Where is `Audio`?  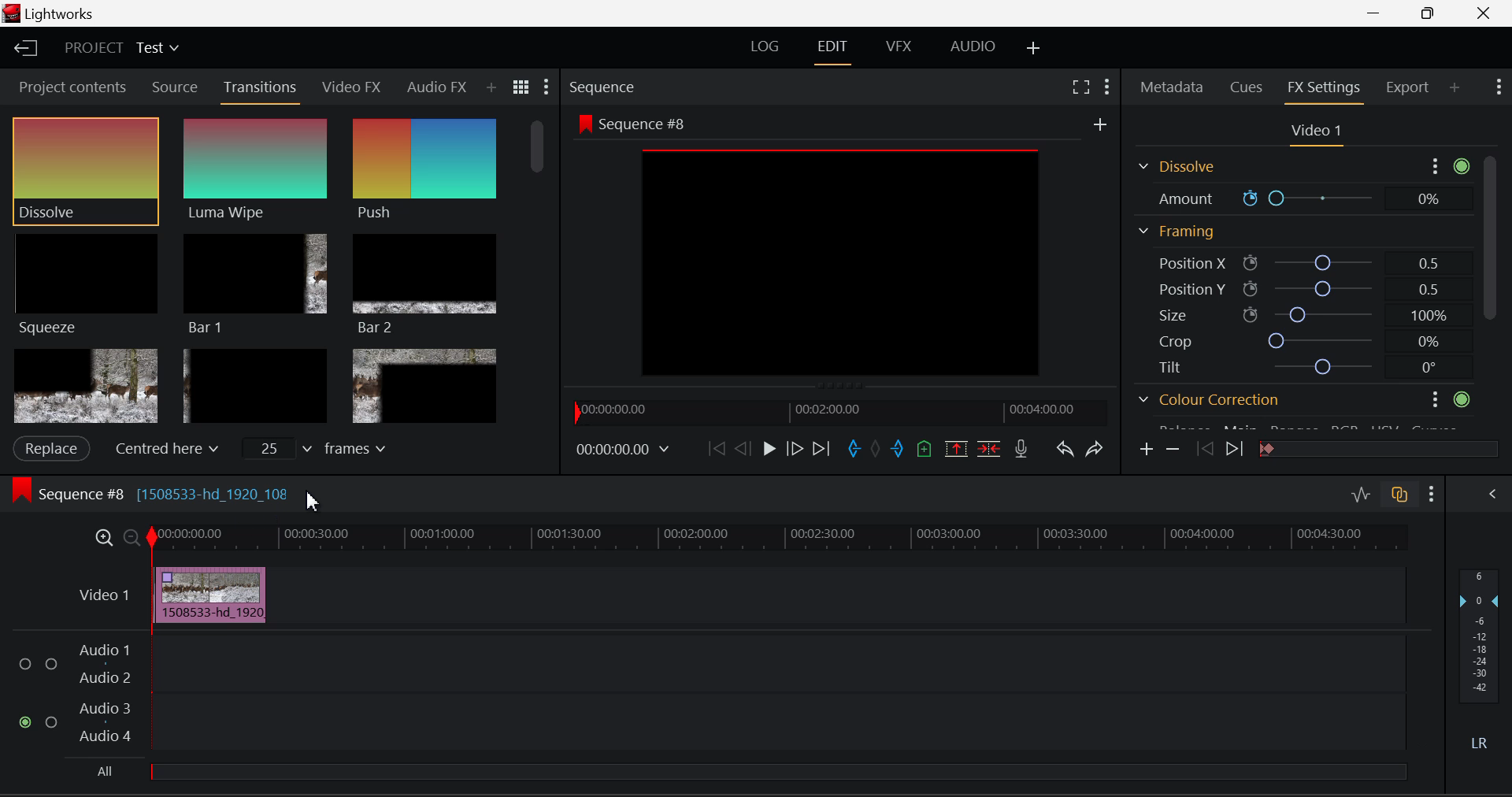 Audio is located at coordinates (417, 86).